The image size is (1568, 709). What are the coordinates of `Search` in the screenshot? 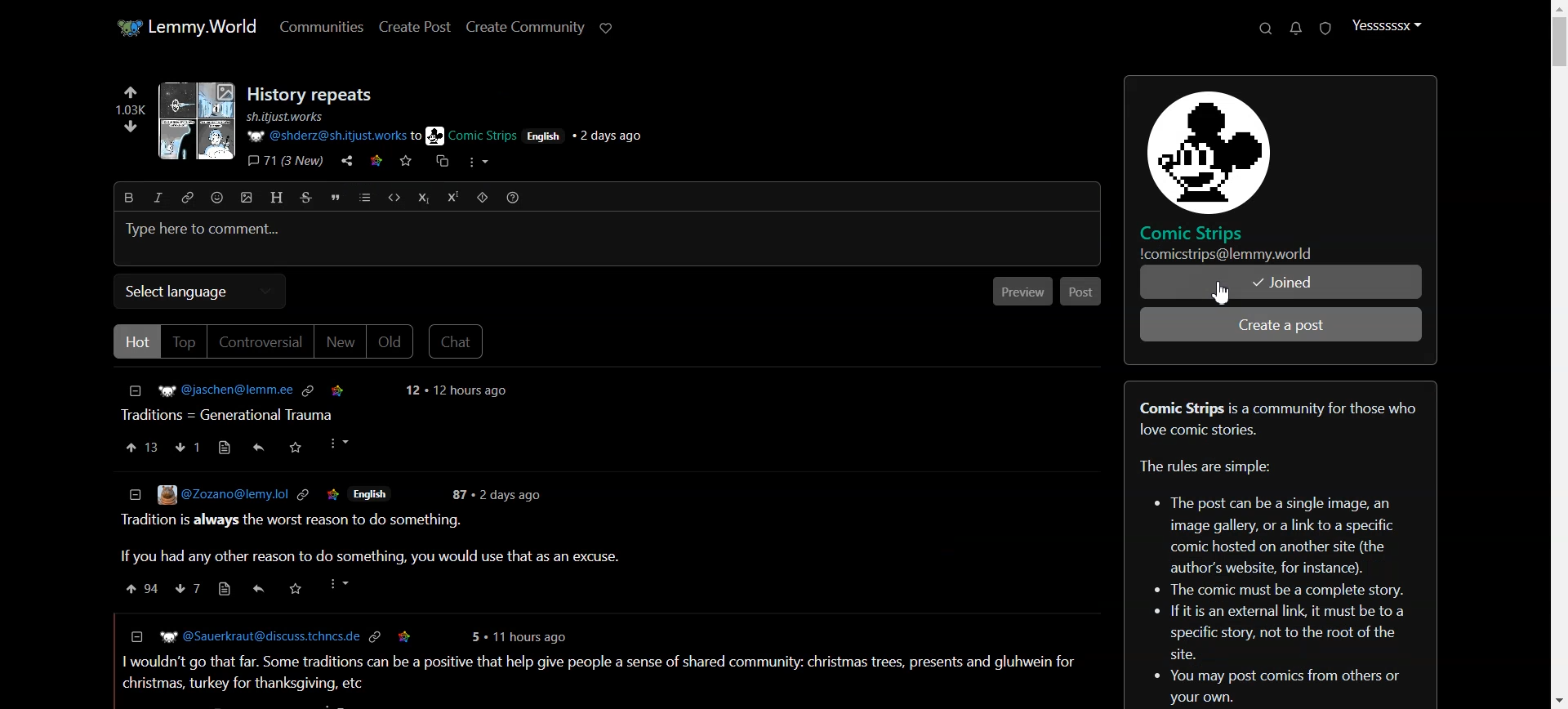 It's located at (1265, 29).